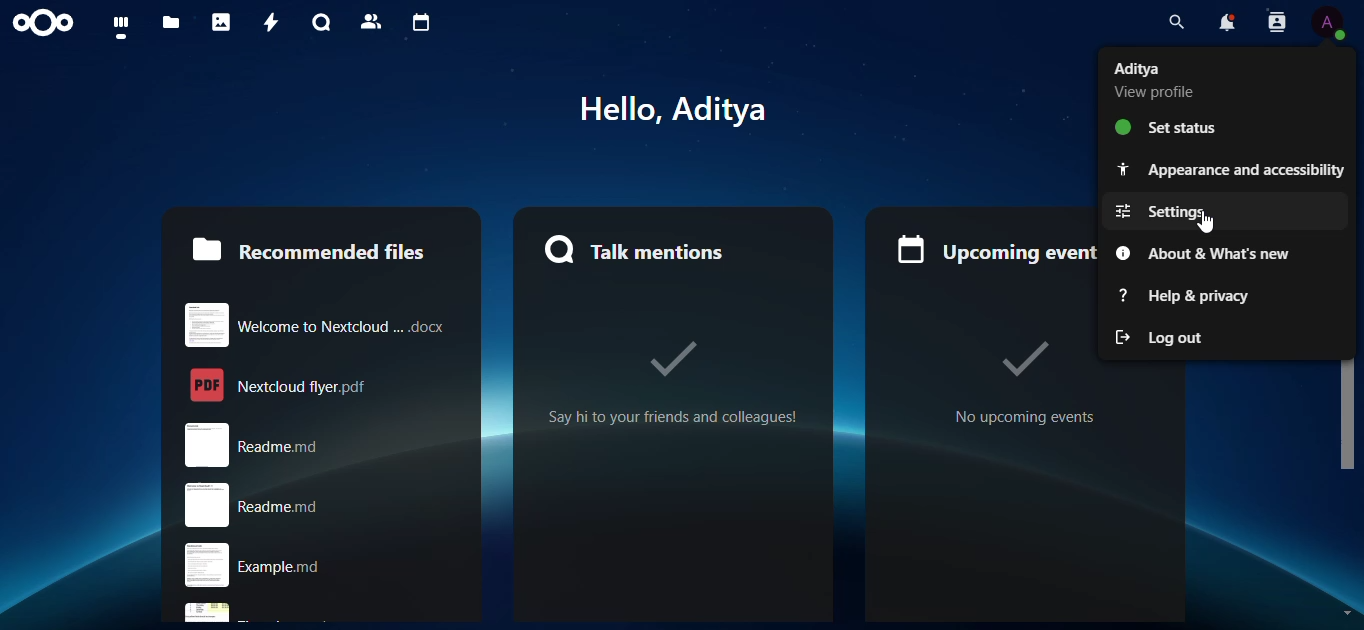  Describe the element at coordinates (1184, 212) in the screenshot. I see `settings` at that location.